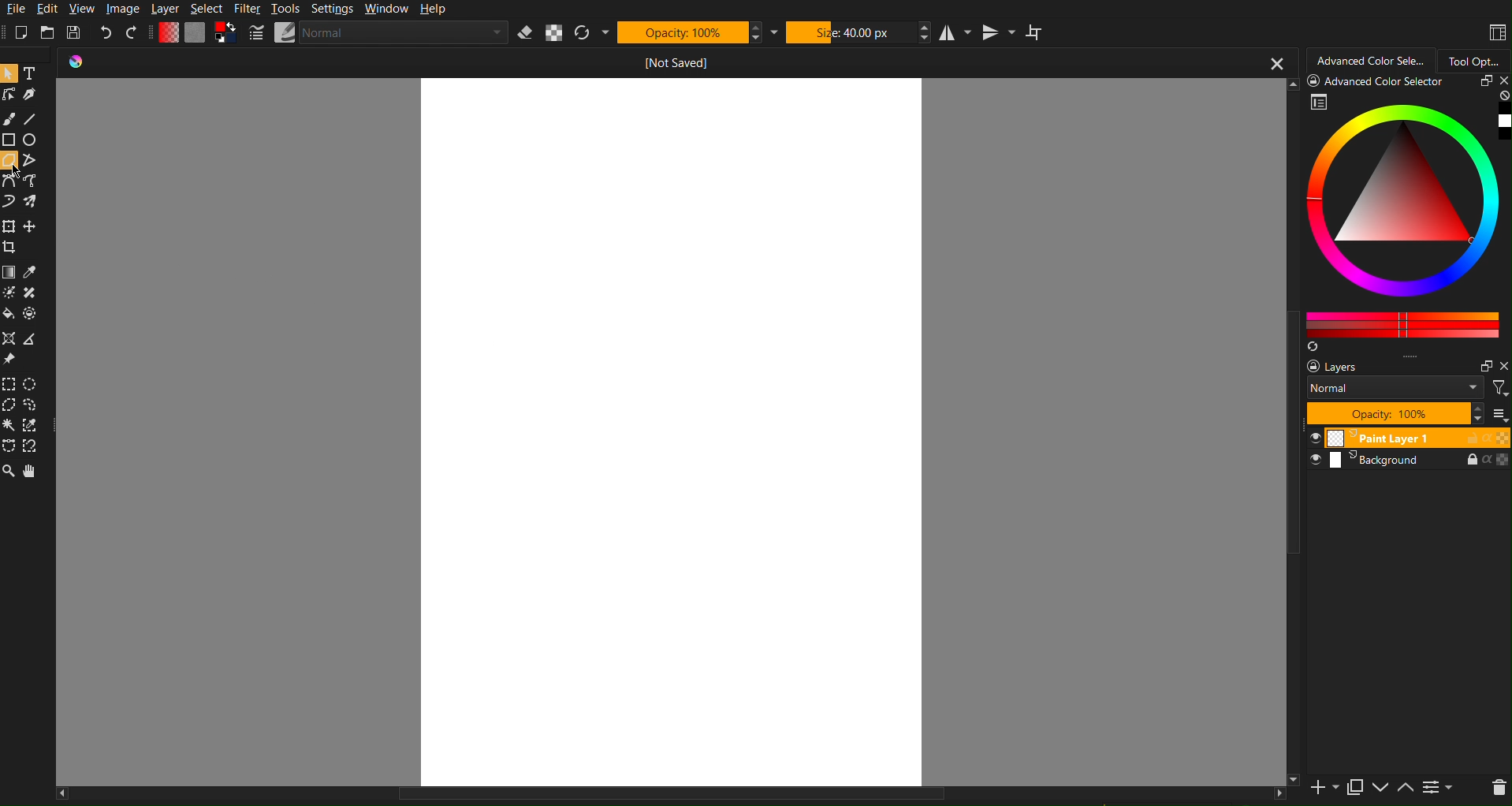  I want to click on New, so click(21, 32).